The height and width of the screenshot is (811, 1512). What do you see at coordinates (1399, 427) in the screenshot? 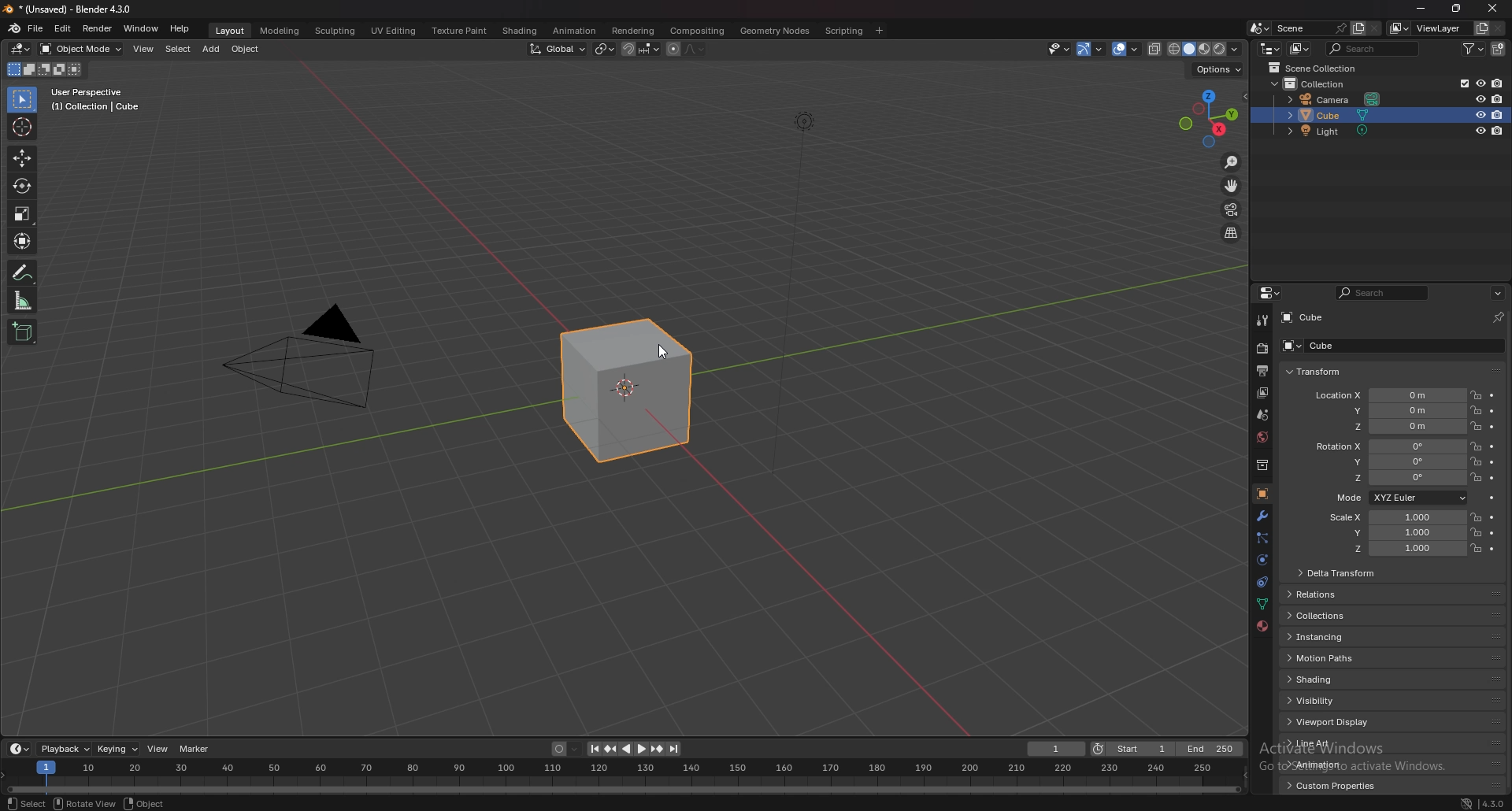
I see `location z` at bounding box center [1399, 427].